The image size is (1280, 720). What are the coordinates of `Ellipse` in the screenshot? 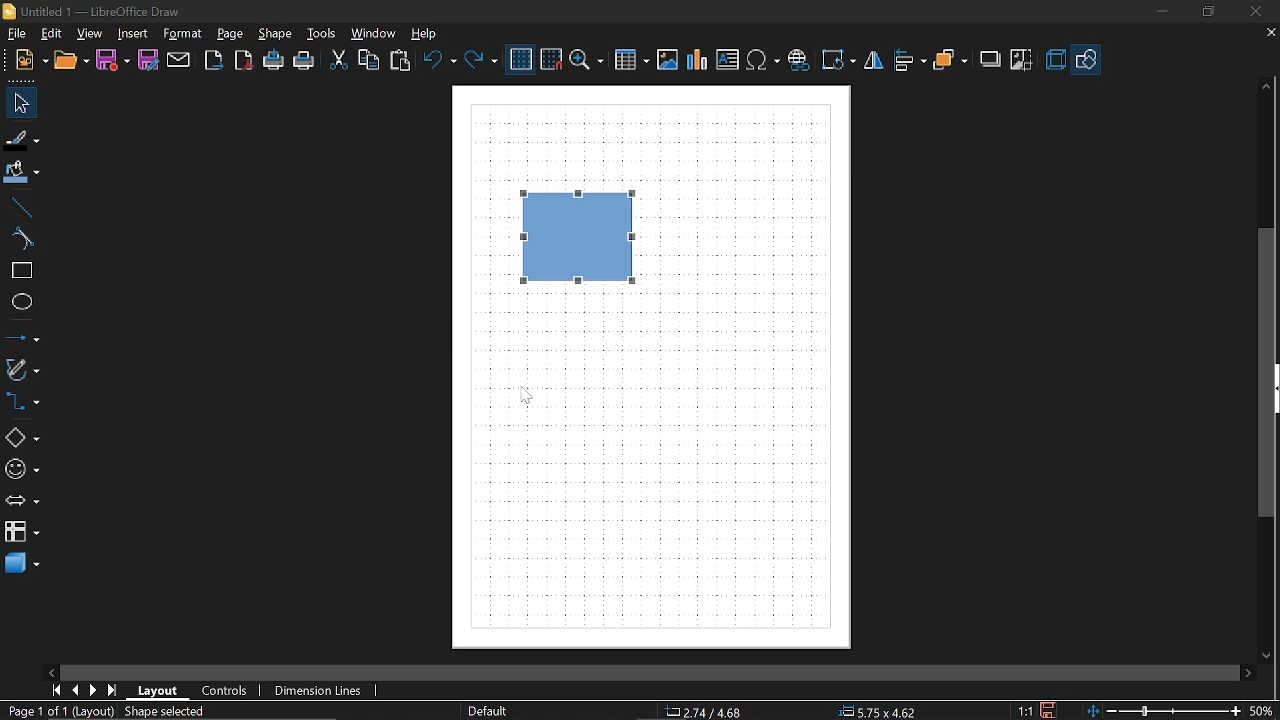 It's located at (18, 302).